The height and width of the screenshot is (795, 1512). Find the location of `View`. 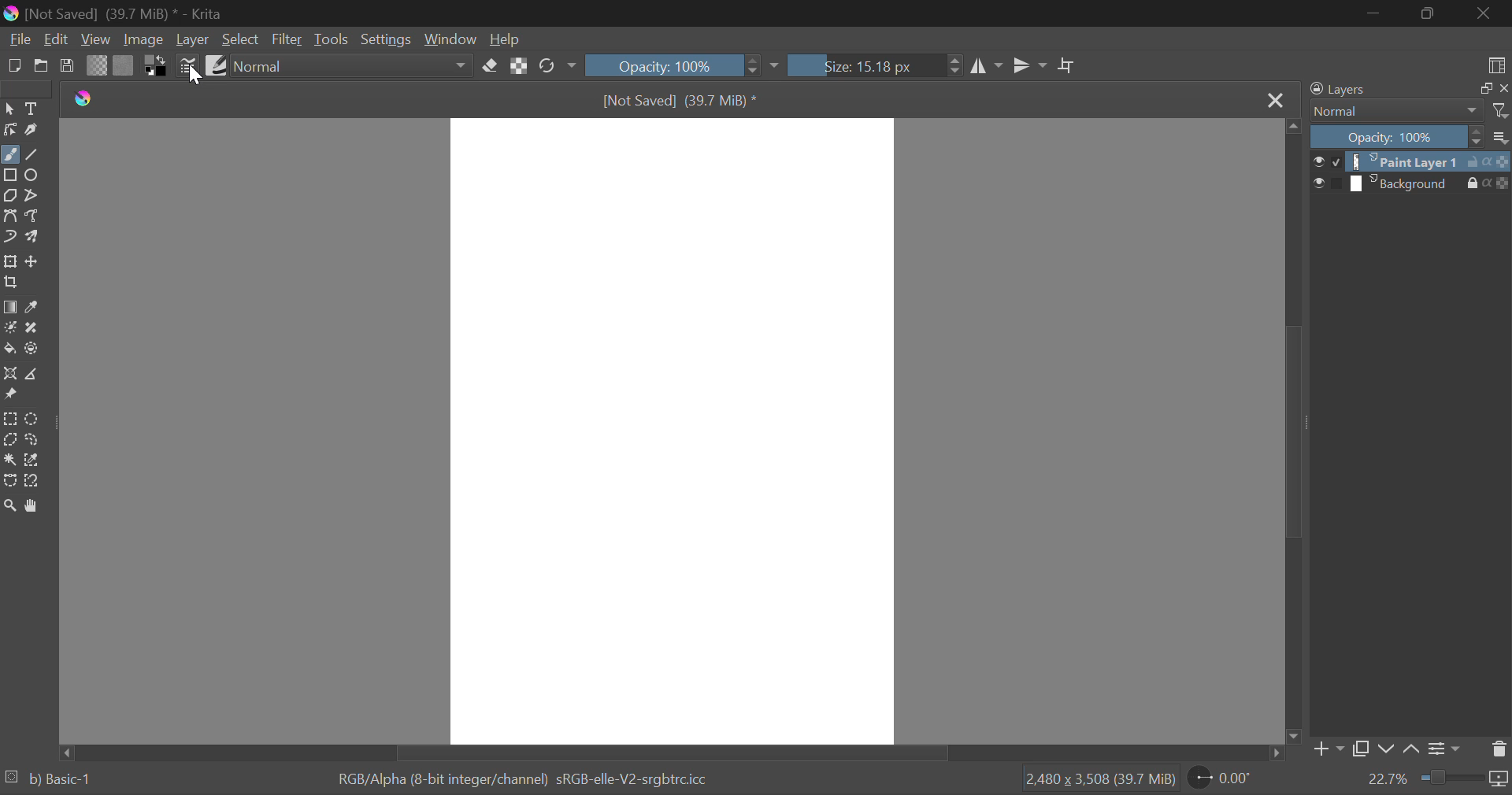

View is located at coordinates (96, 39).